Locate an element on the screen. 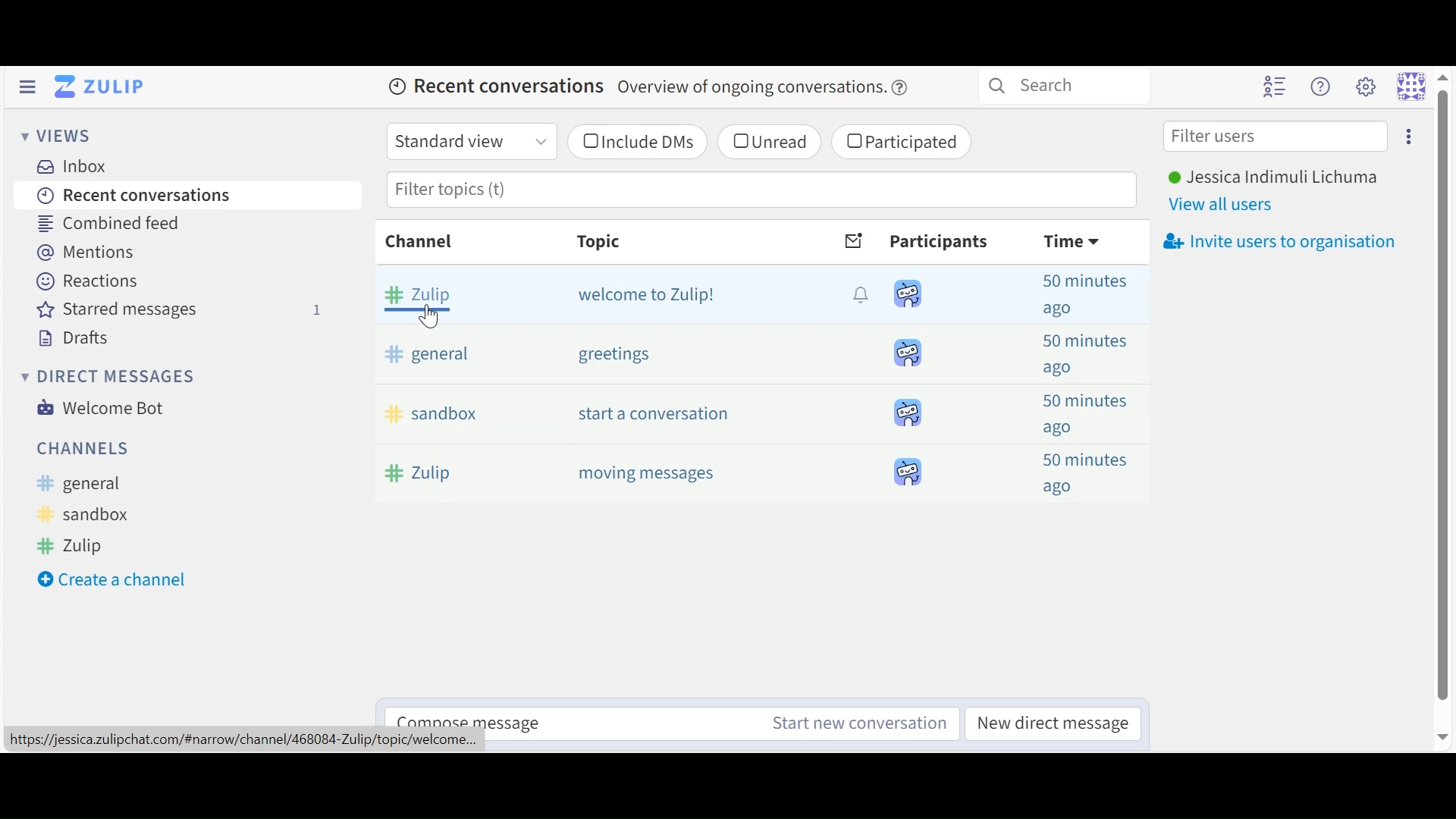 The width and height of the screenshot is (1456, 819). (un)select unread is located at coordinates (770, 140).